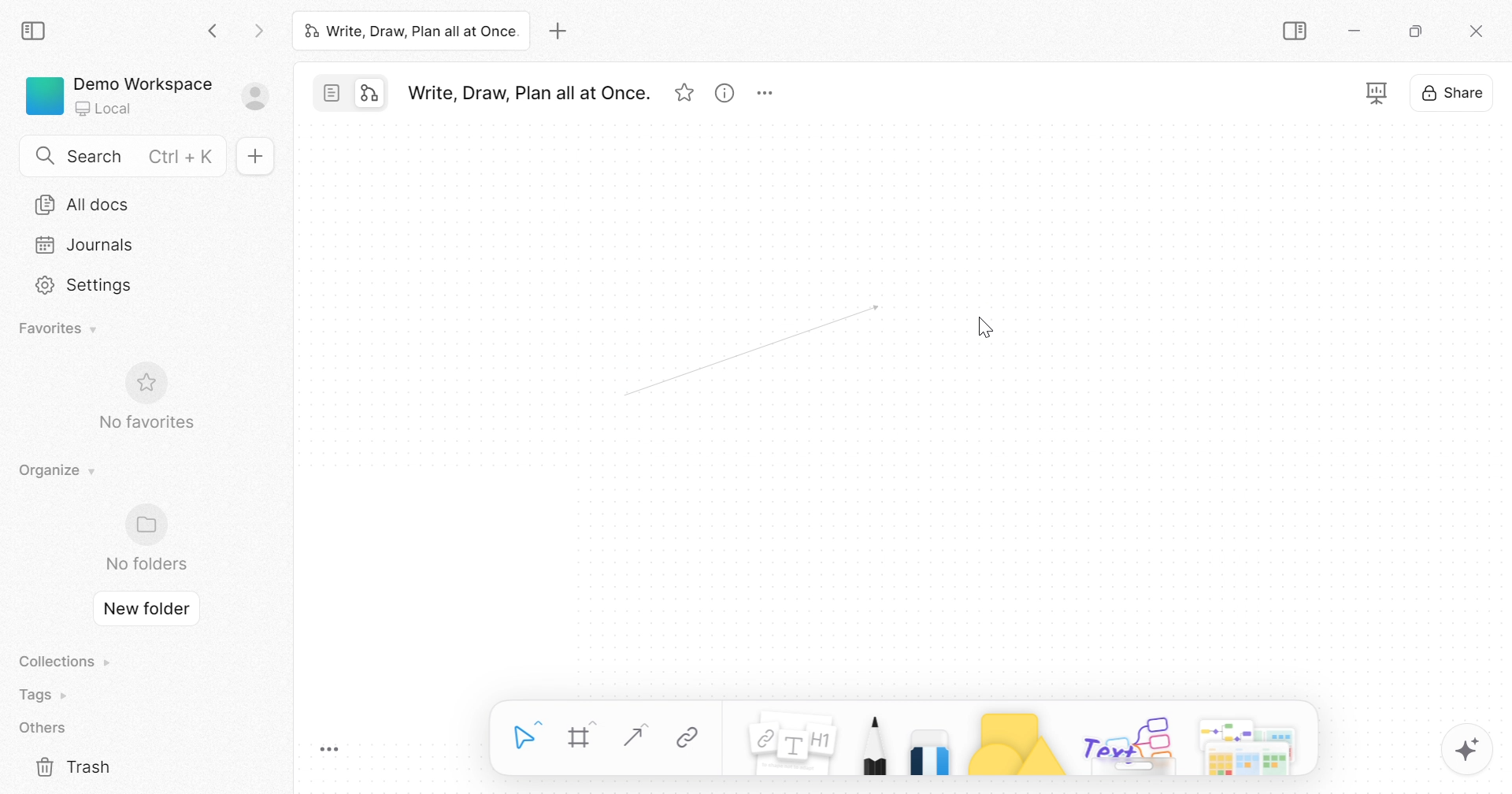 This screenshot has width=1512, height=794. I want to click on Switch, so click(355, 95).